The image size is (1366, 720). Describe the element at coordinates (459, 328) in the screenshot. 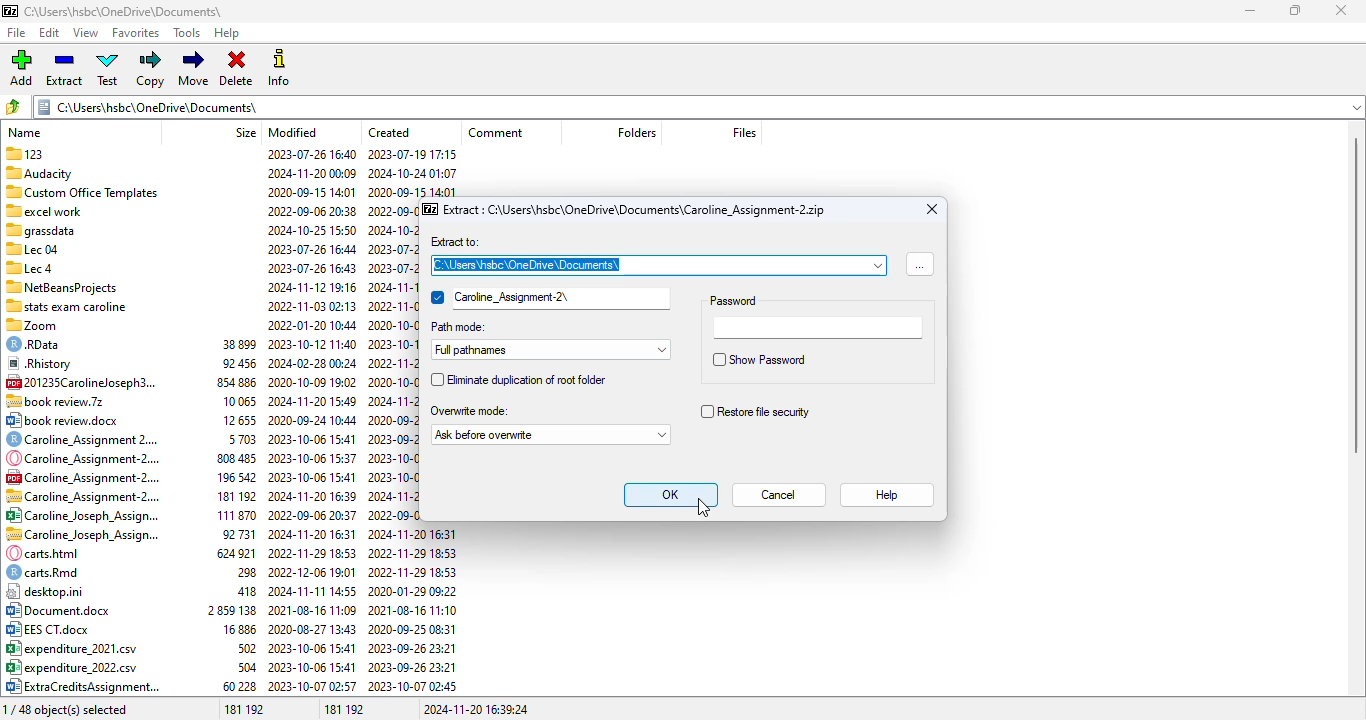

I see `path mode:` at that location.